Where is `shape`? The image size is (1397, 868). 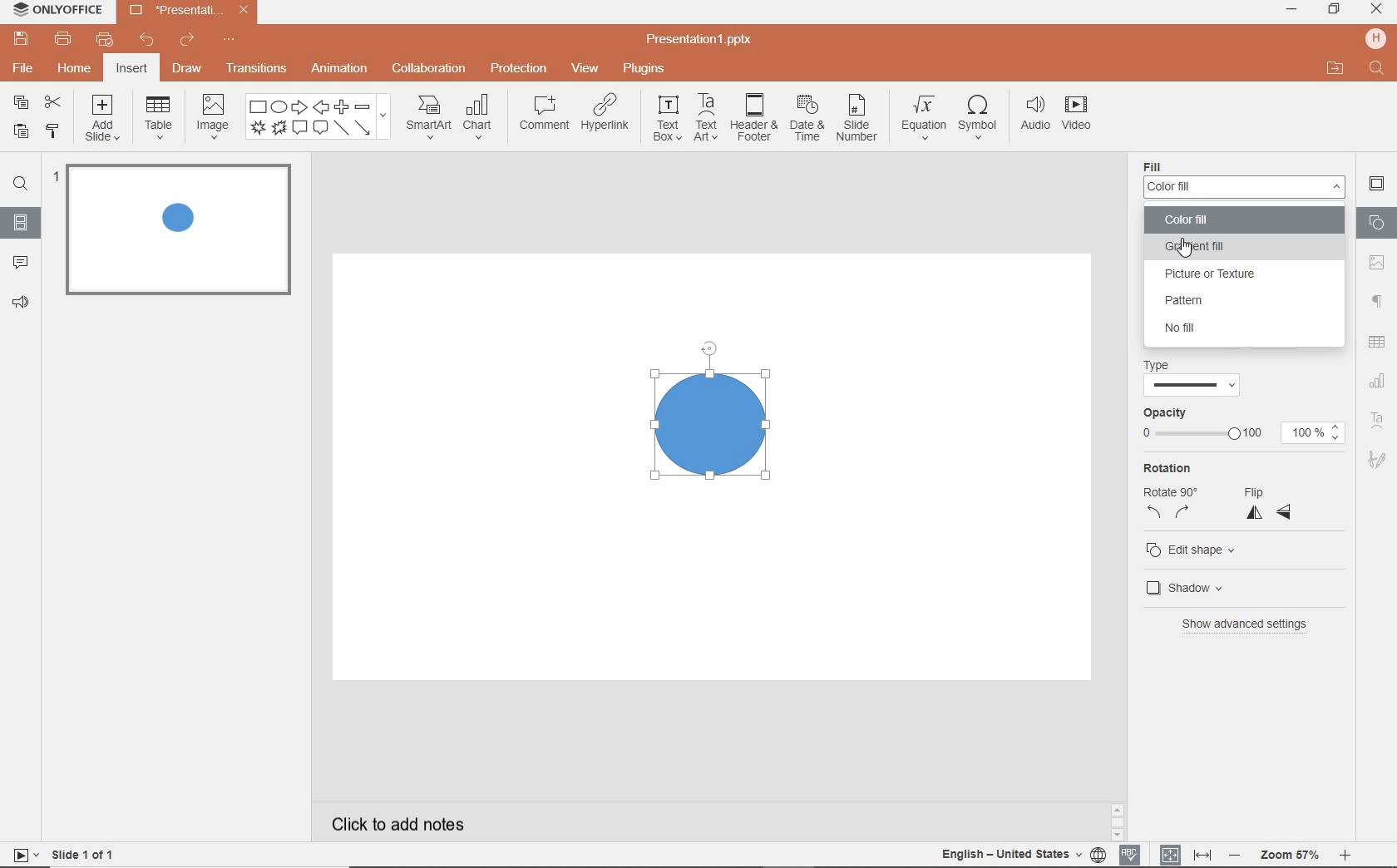 shape is located at coordinates (709, 413).